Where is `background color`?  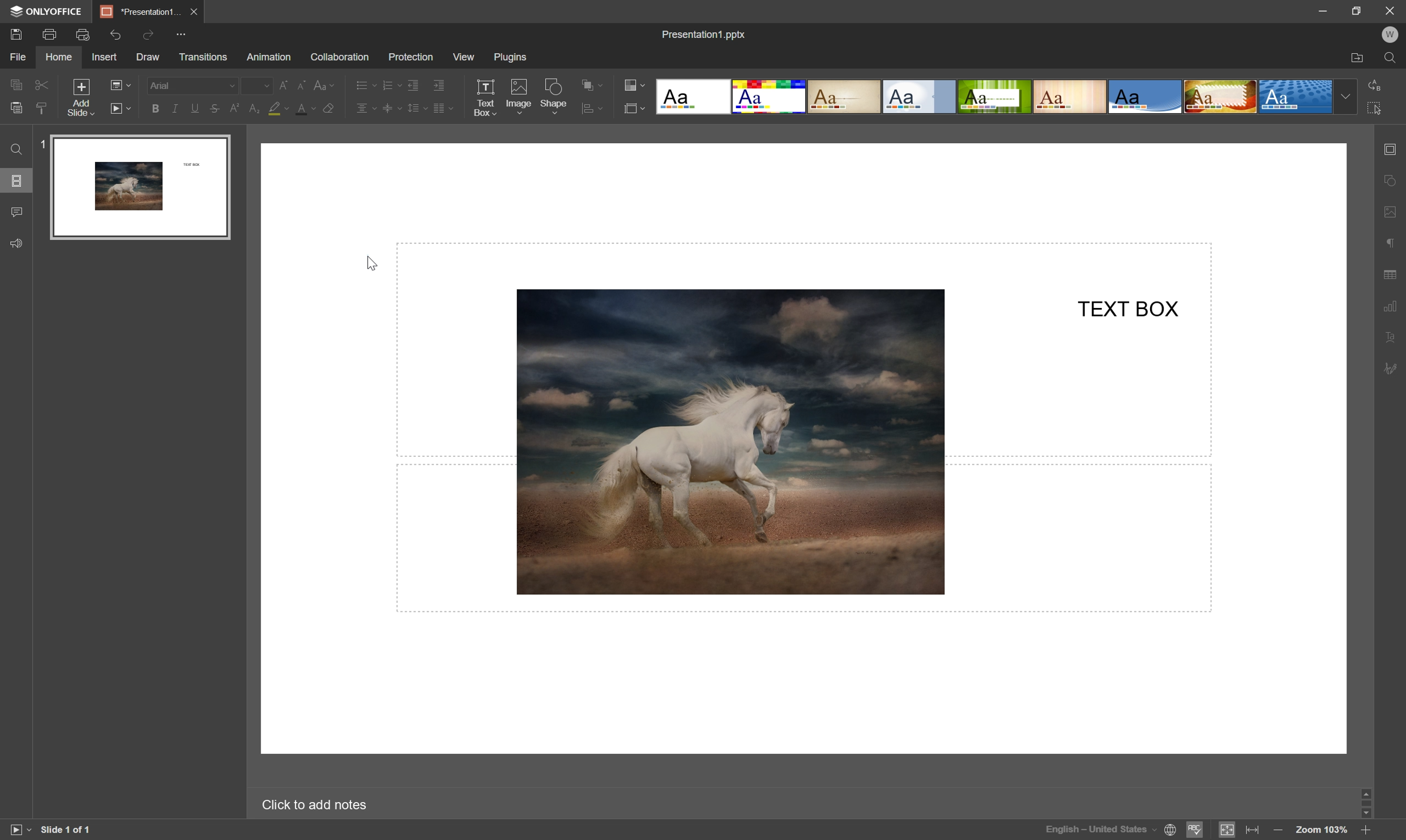 background color is located at coordinates (279, 108).